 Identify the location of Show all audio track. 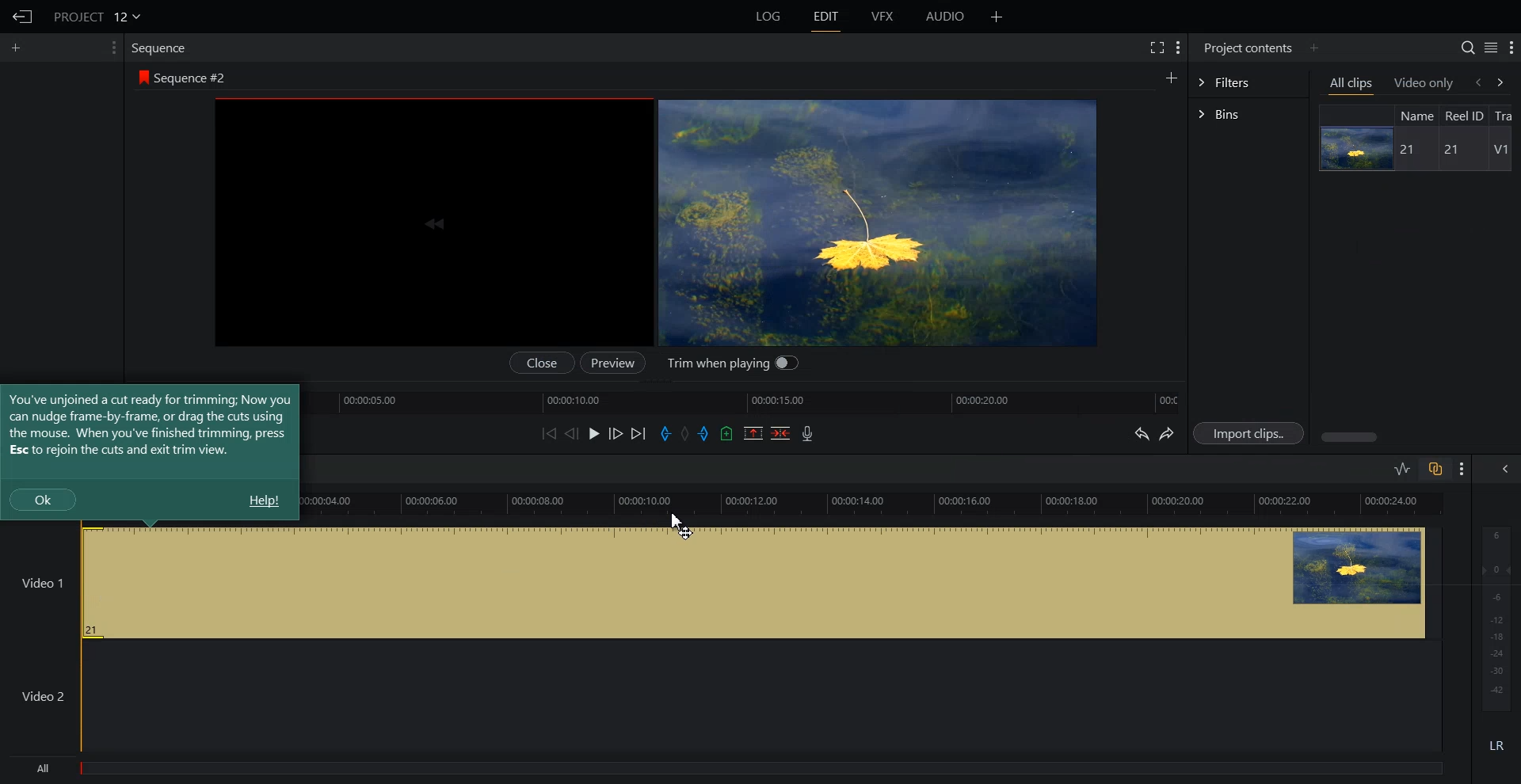
(1506, 469).